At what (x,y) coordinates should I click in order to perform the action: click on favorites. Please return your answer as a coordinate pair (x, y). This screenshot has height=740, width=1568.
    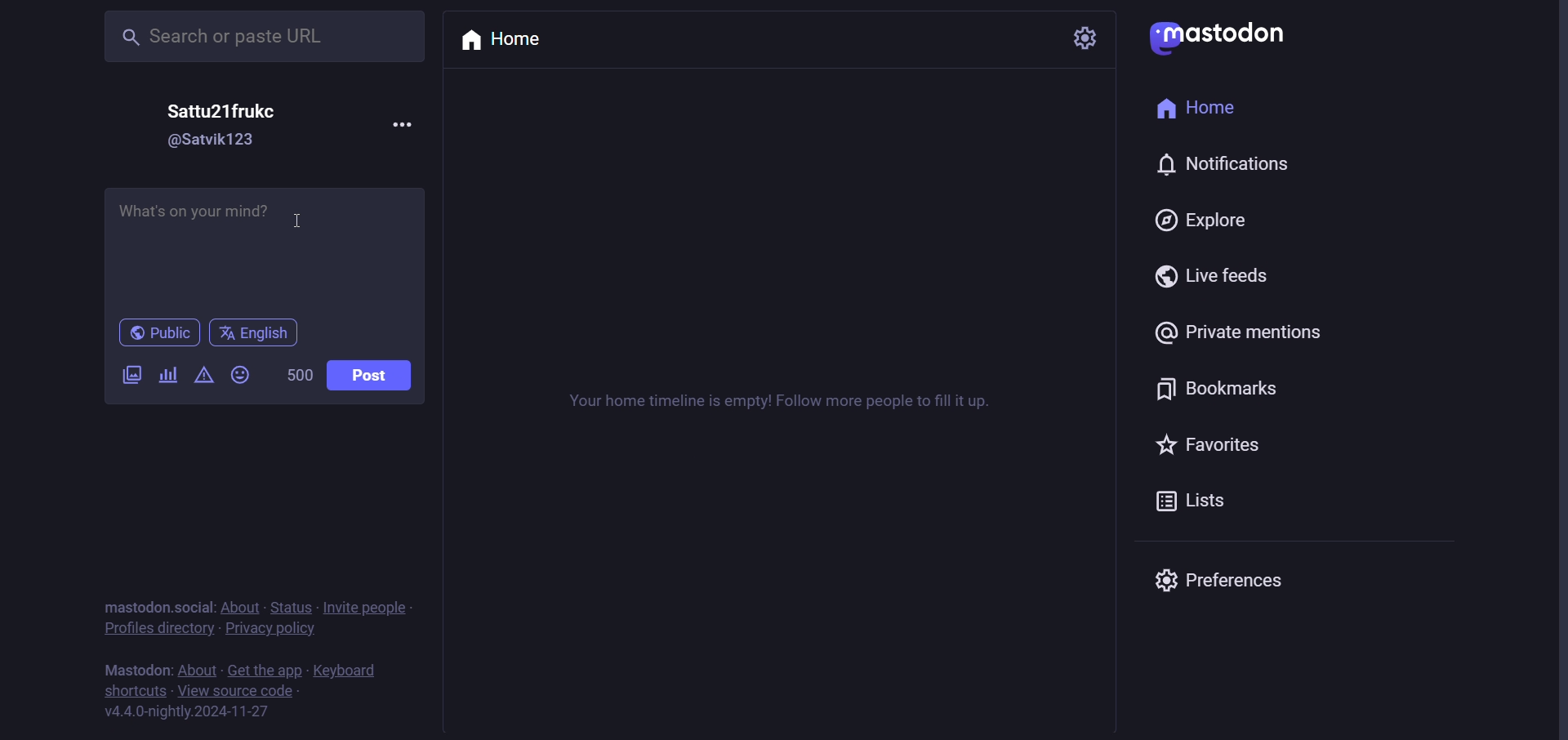
    Looking at the image, I should click on (1209, 447).